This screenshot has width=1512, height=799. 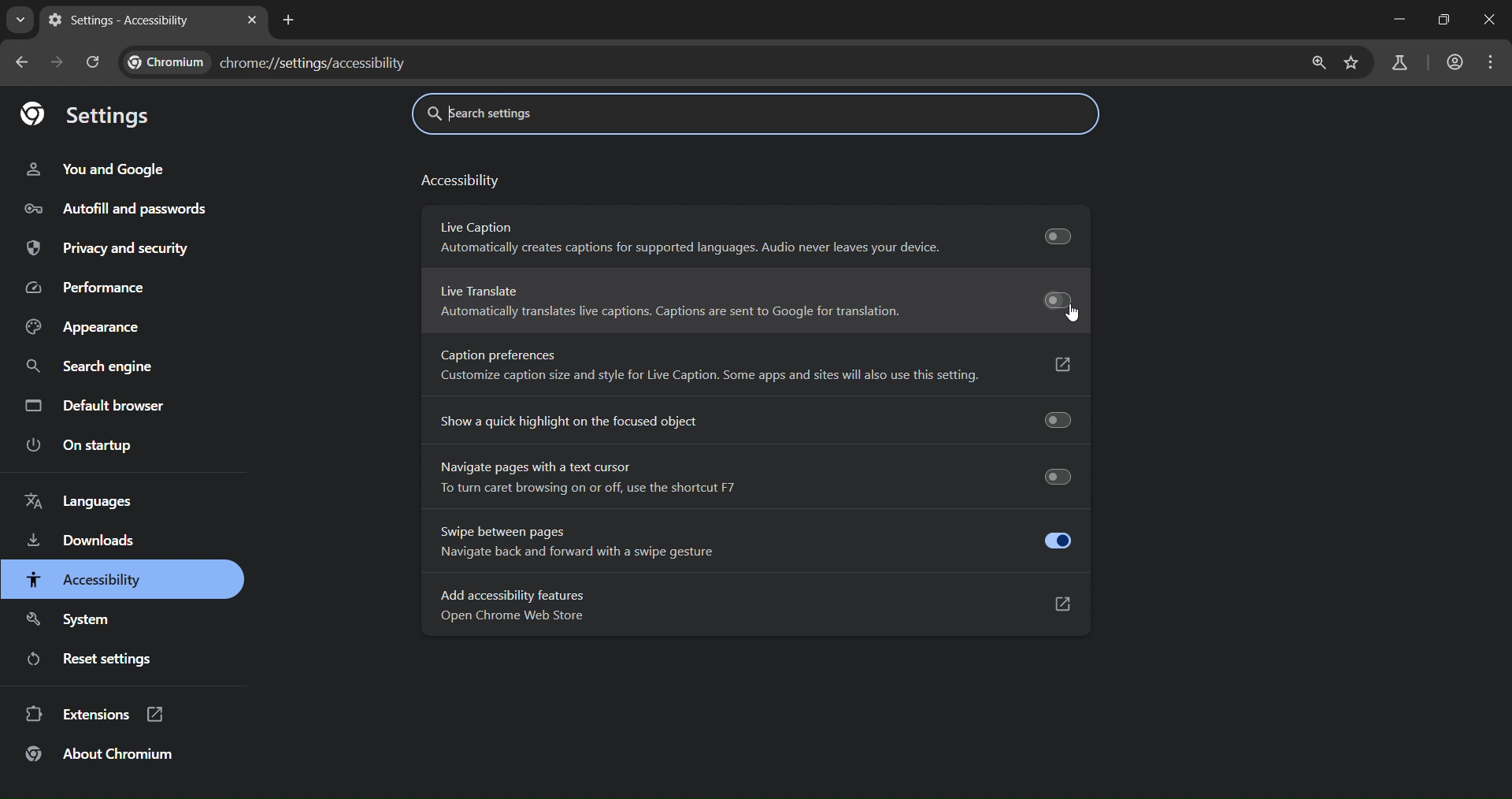 I want to click on reset settings, so click(x=98, y=661).